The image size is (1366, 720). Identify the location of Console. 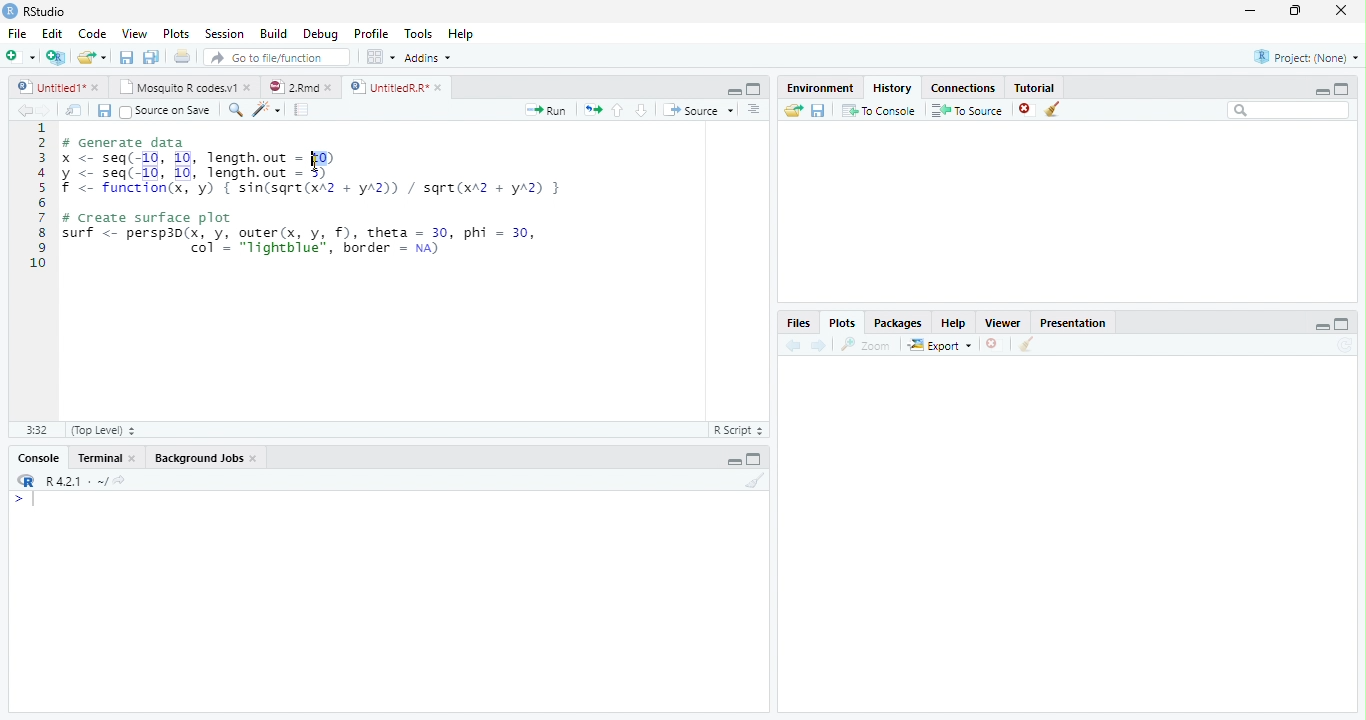
(39, 458).